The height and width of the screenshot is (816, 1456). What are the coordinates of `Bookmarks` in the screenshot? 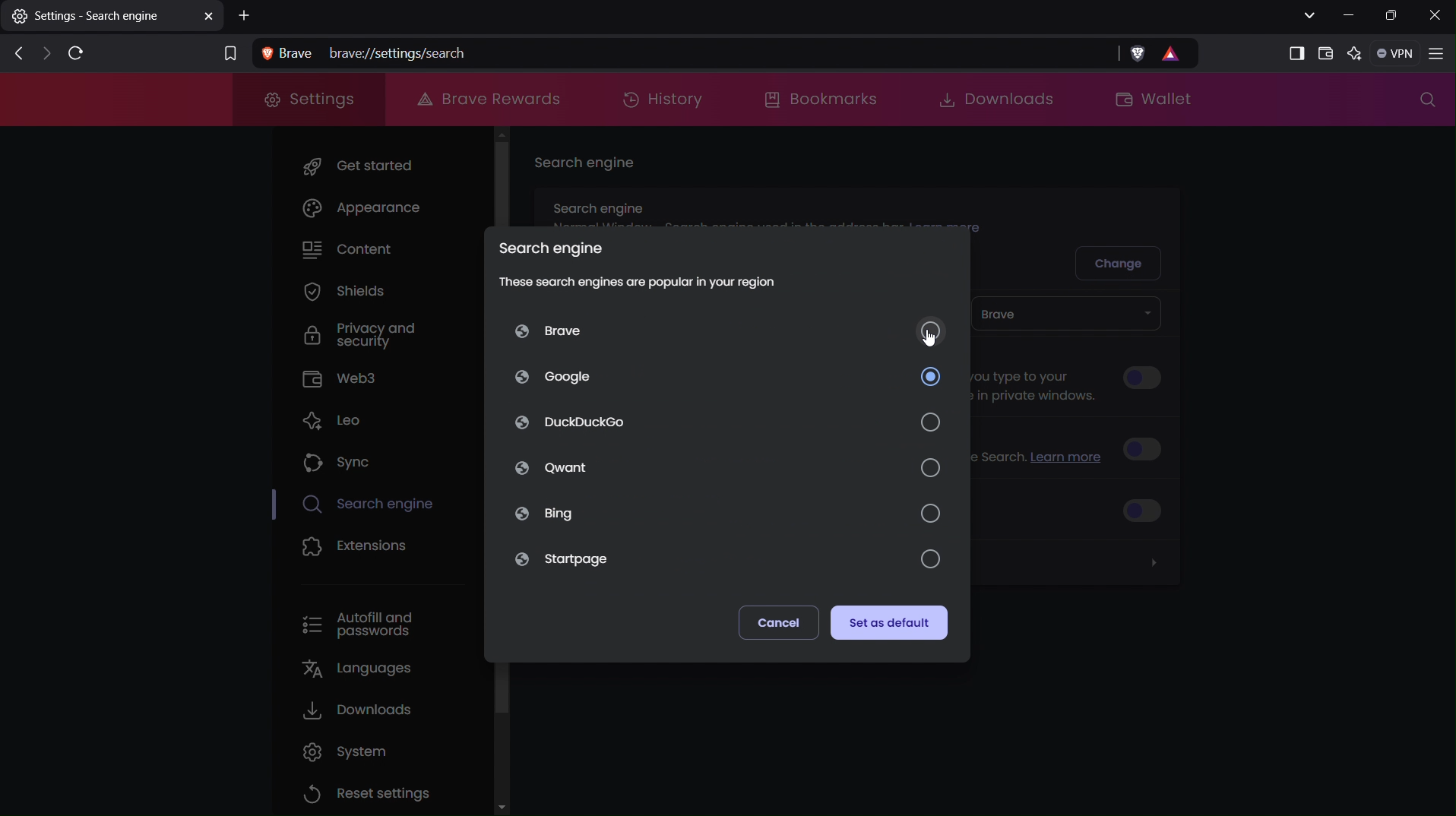 It's located at (823, 99).